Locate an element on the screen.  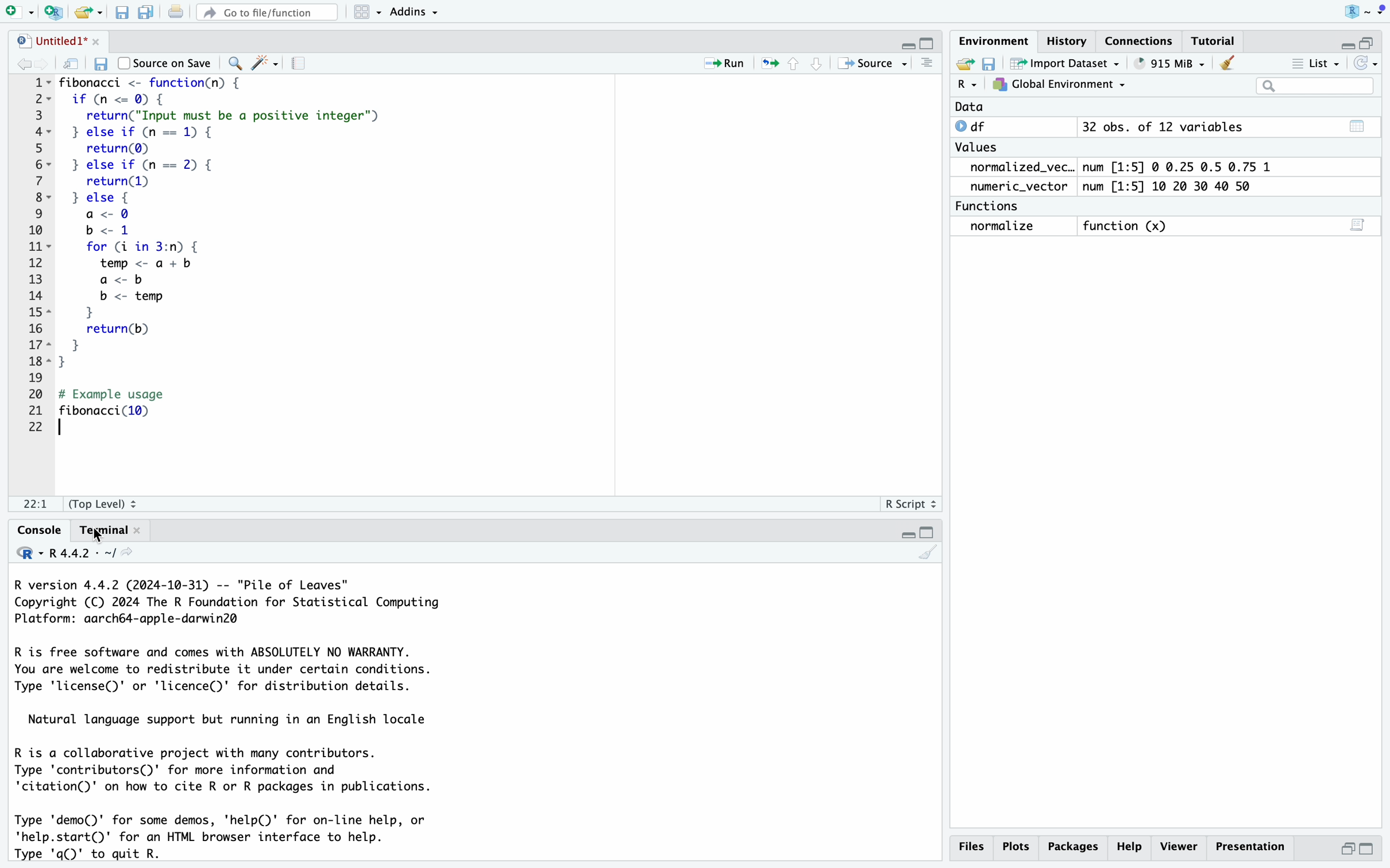
history is located at coordinates (1064, 40).